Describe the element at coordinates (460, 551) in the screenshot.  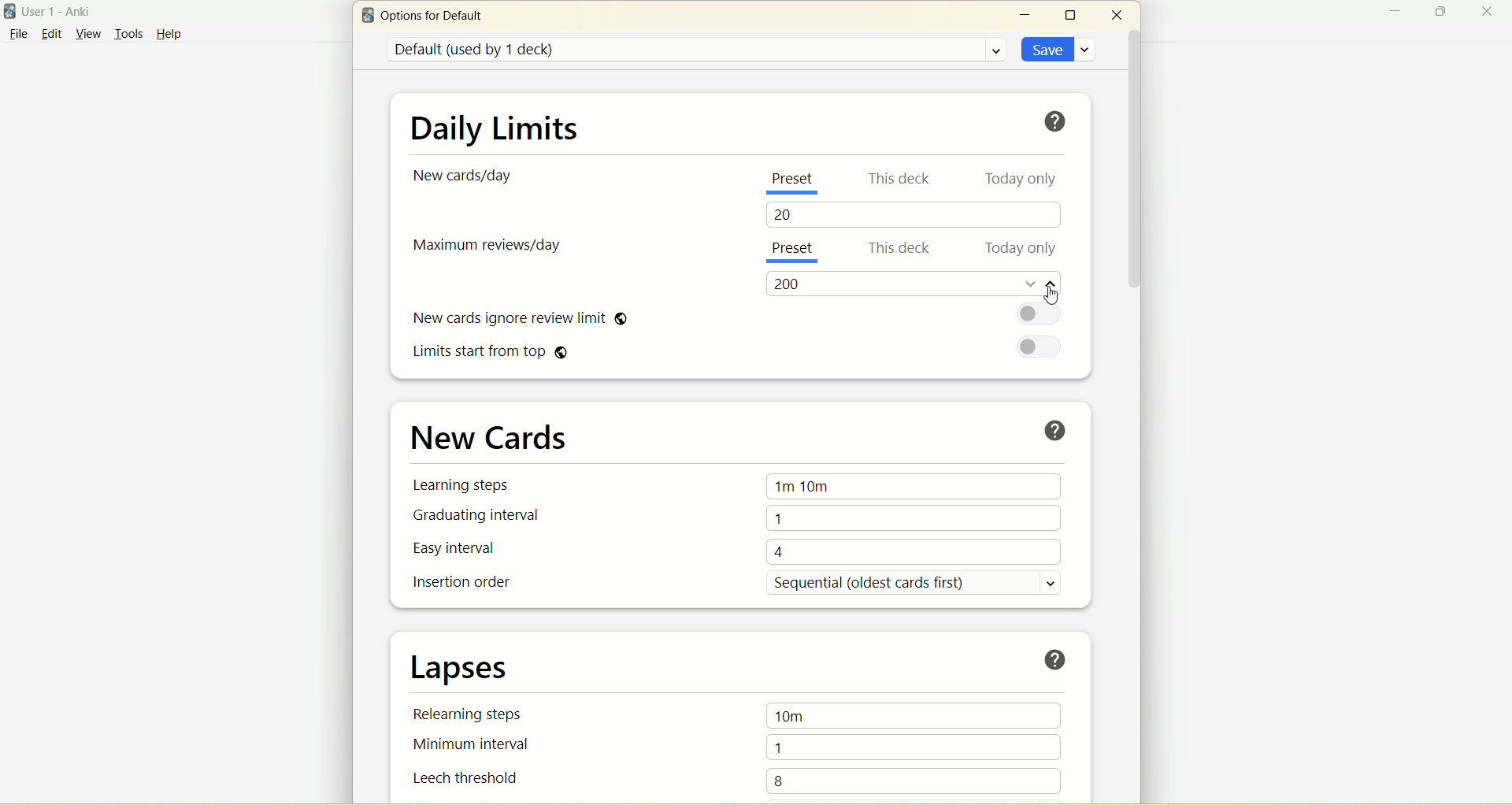
I see `easy interval` at that location.